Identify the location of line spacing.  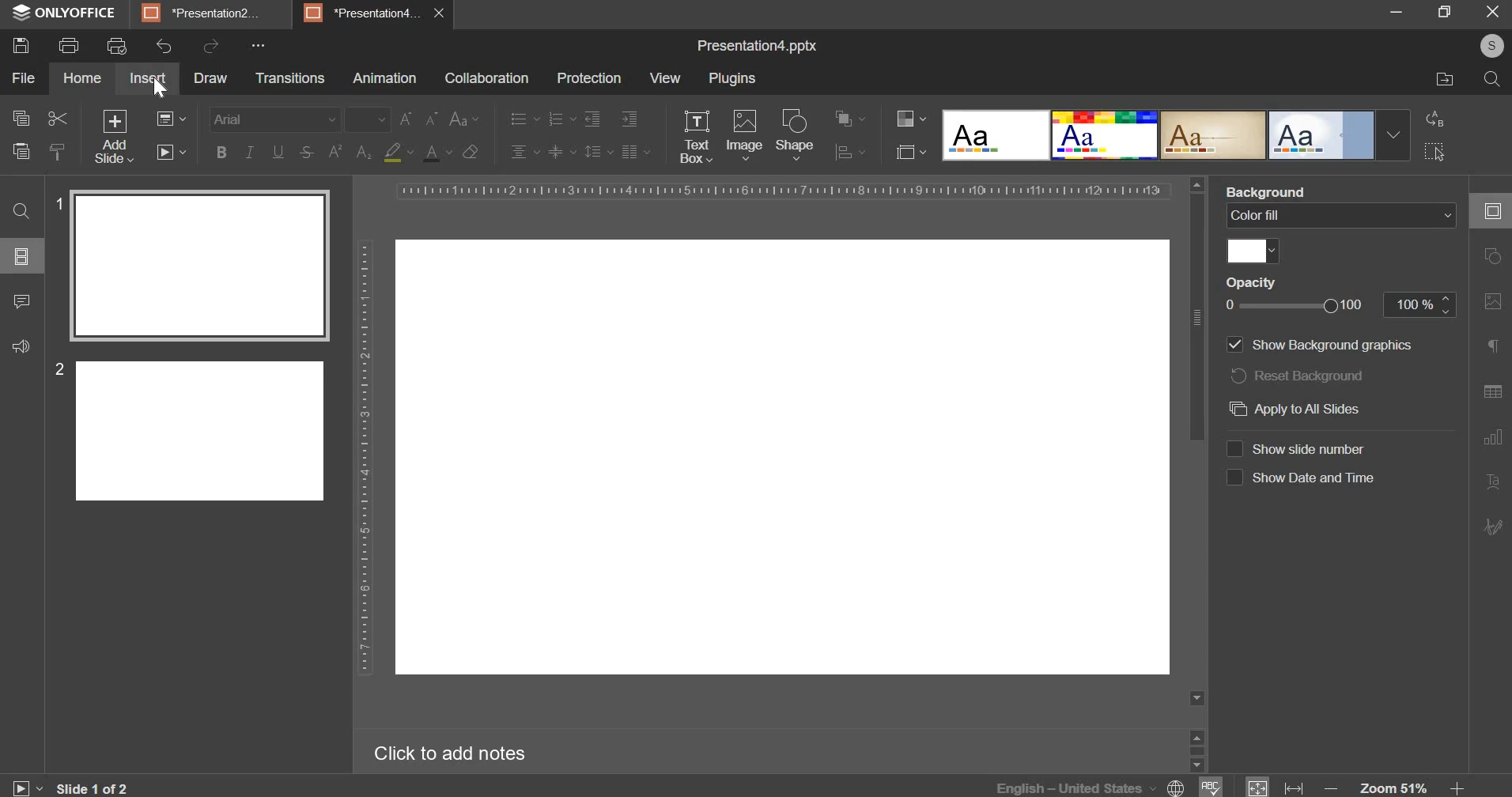
(599, 153).